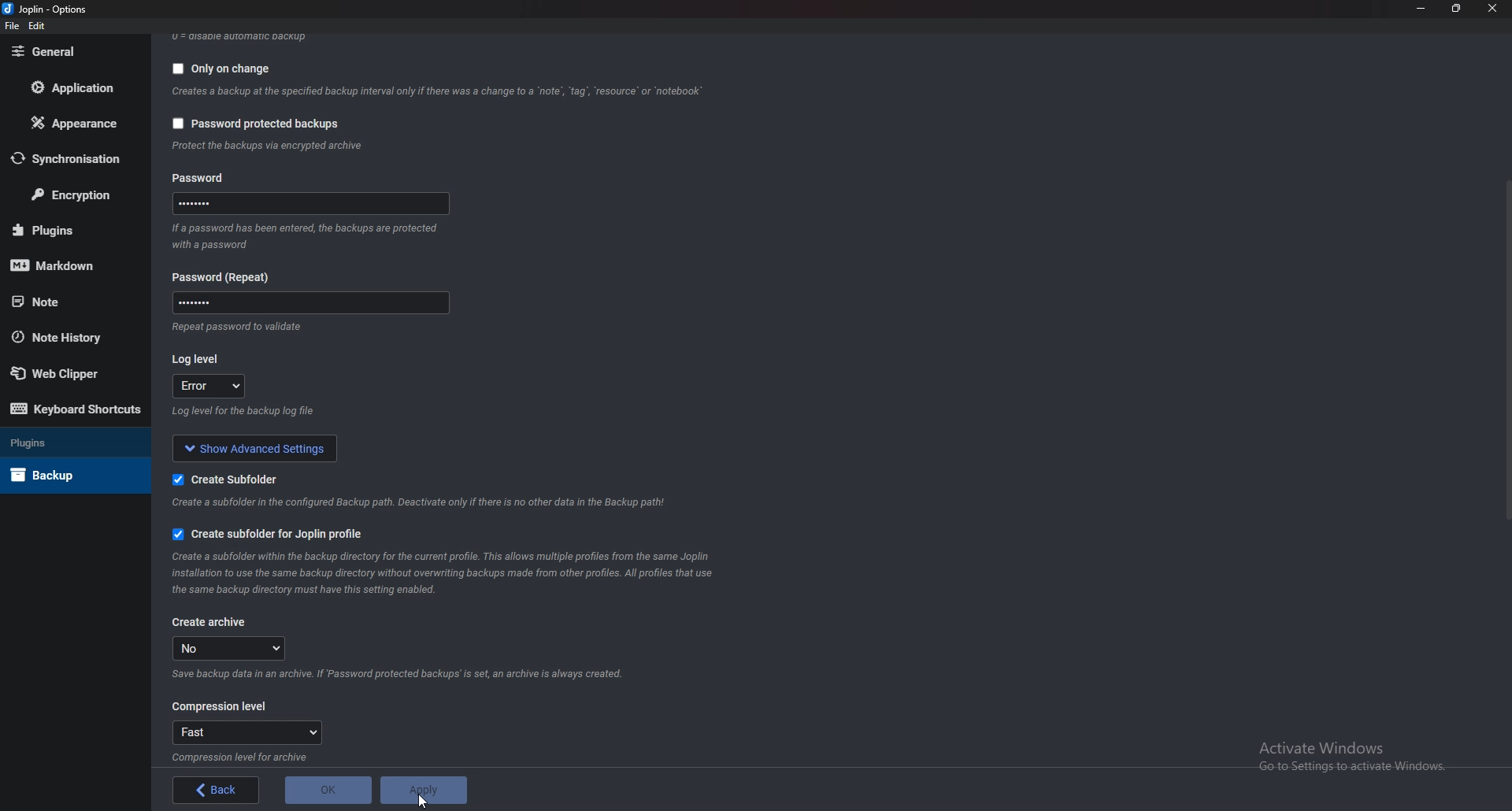  What do you see at coordinates (77, 194) in the screenshot?
I see `Encryption` at bounding box center [77, 194].